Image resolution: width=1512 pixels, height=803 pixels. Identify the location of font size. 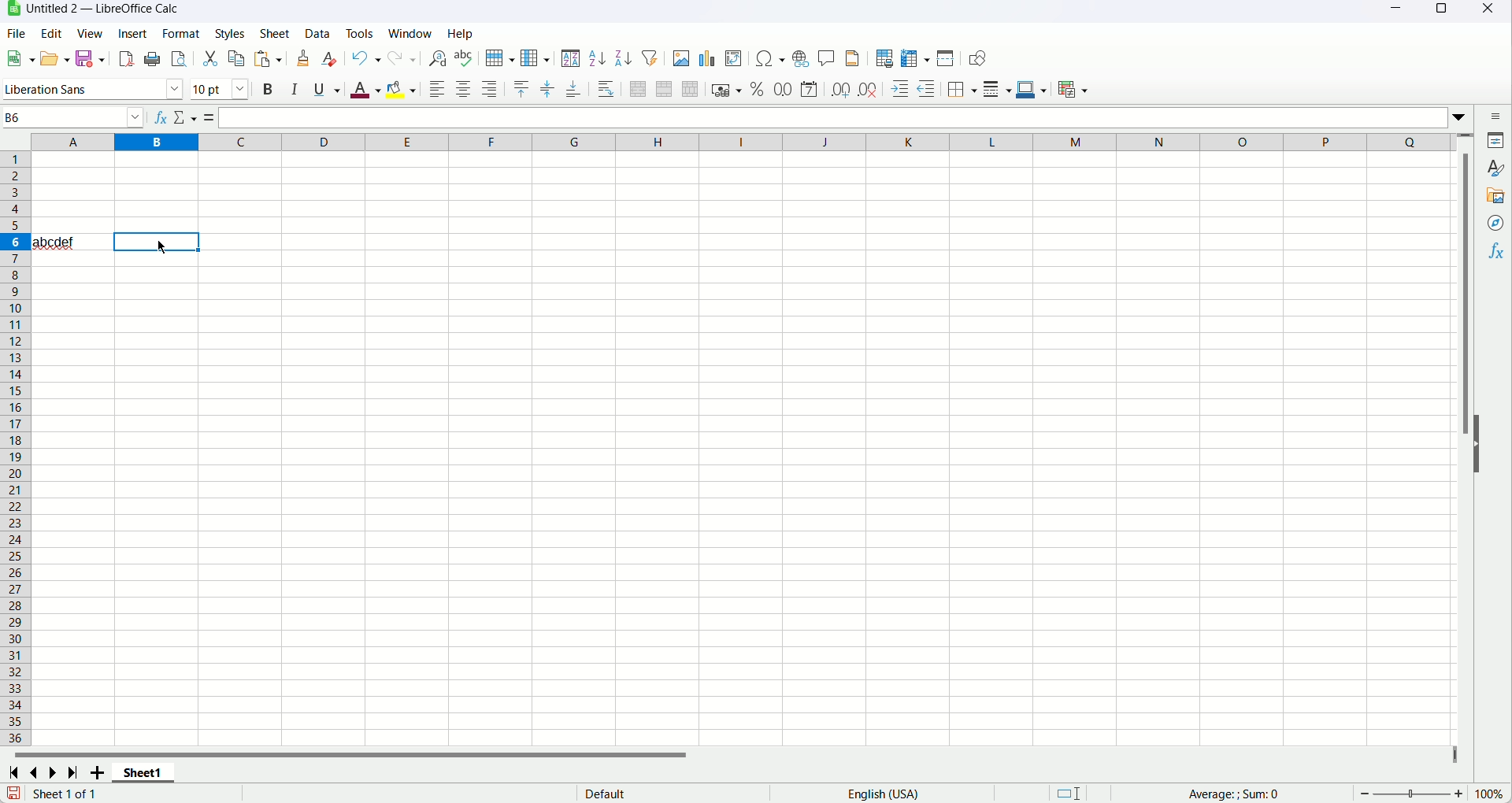
(221, 88).